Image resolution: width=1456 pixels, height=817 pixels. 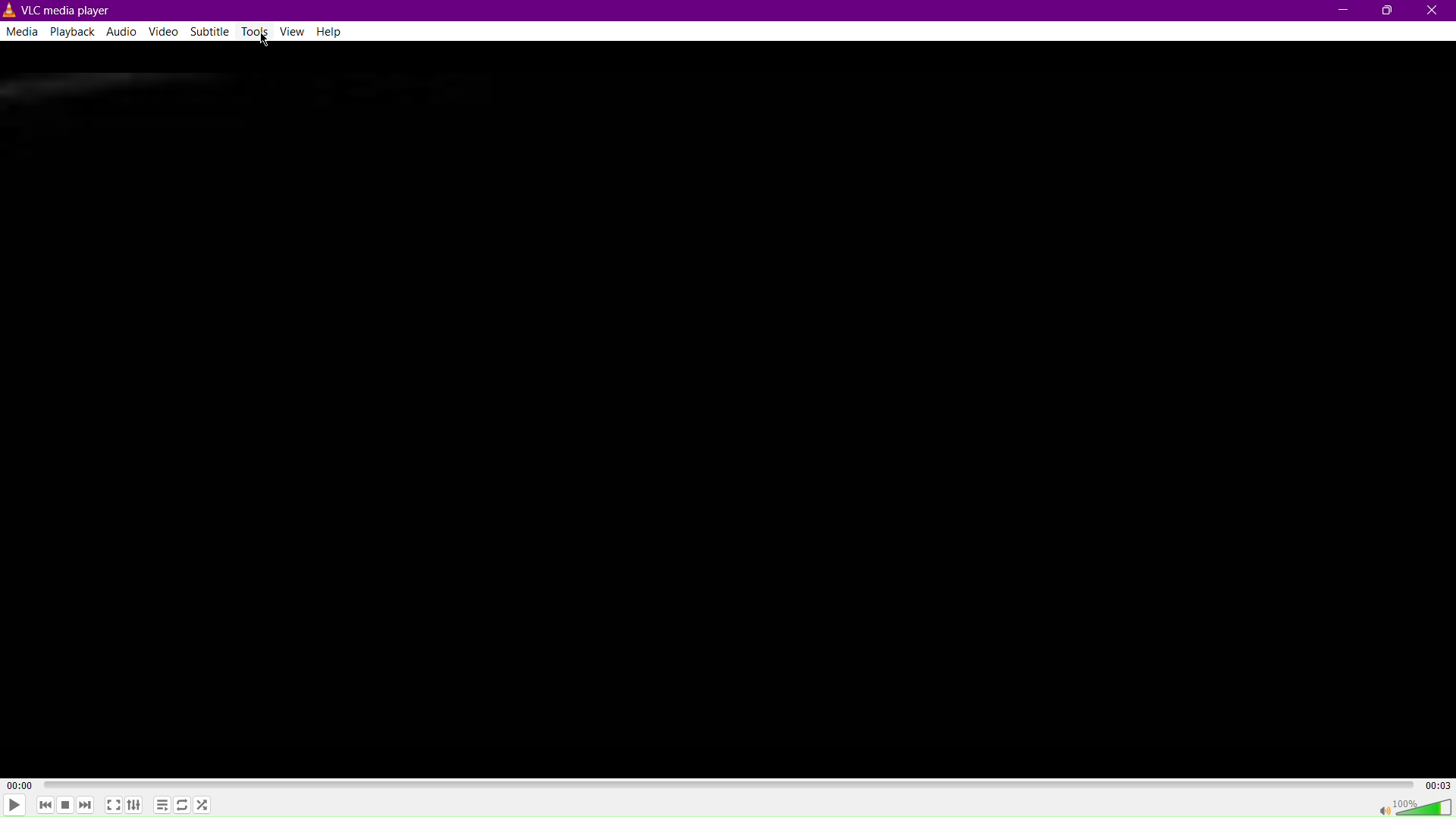 I want to click on Cursor Position, so click(x=264, y=37).